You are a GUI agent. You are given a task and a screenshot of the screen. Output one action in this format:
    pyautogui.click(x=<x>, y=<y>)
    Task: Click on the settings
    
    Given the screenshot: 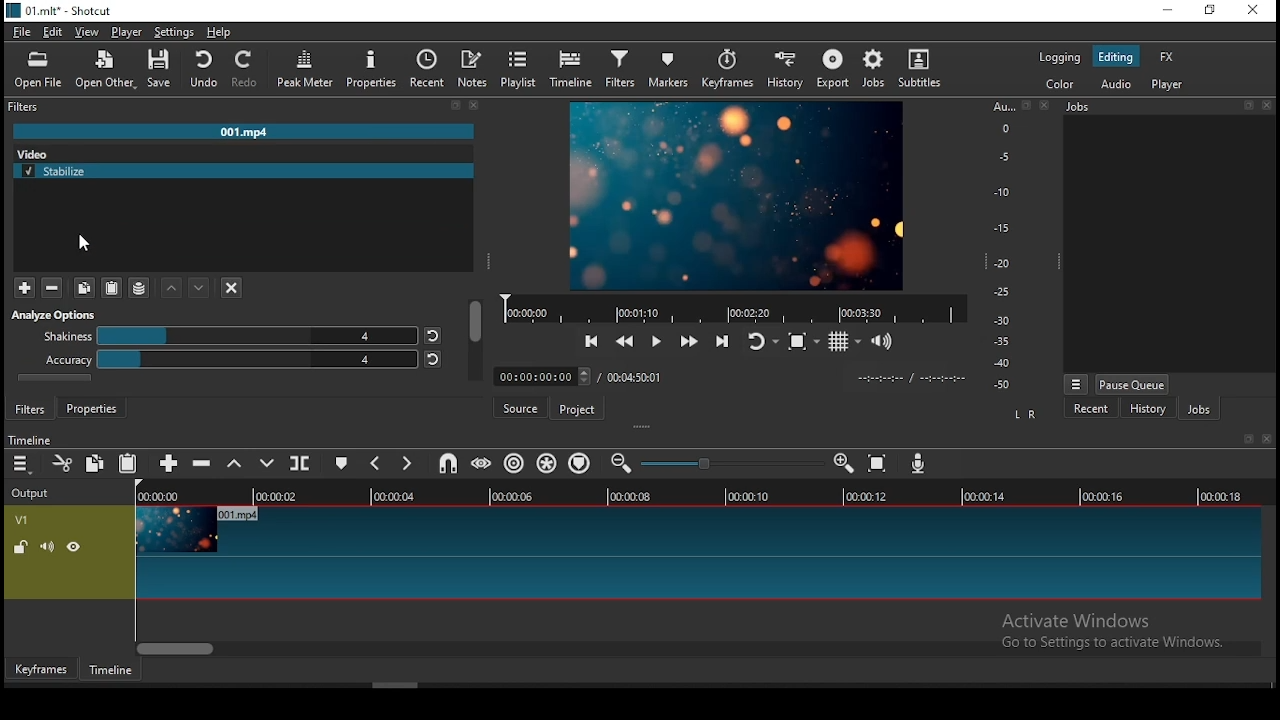 What is the action you would take?
    pyautogui.click(x=177, y=30)
    